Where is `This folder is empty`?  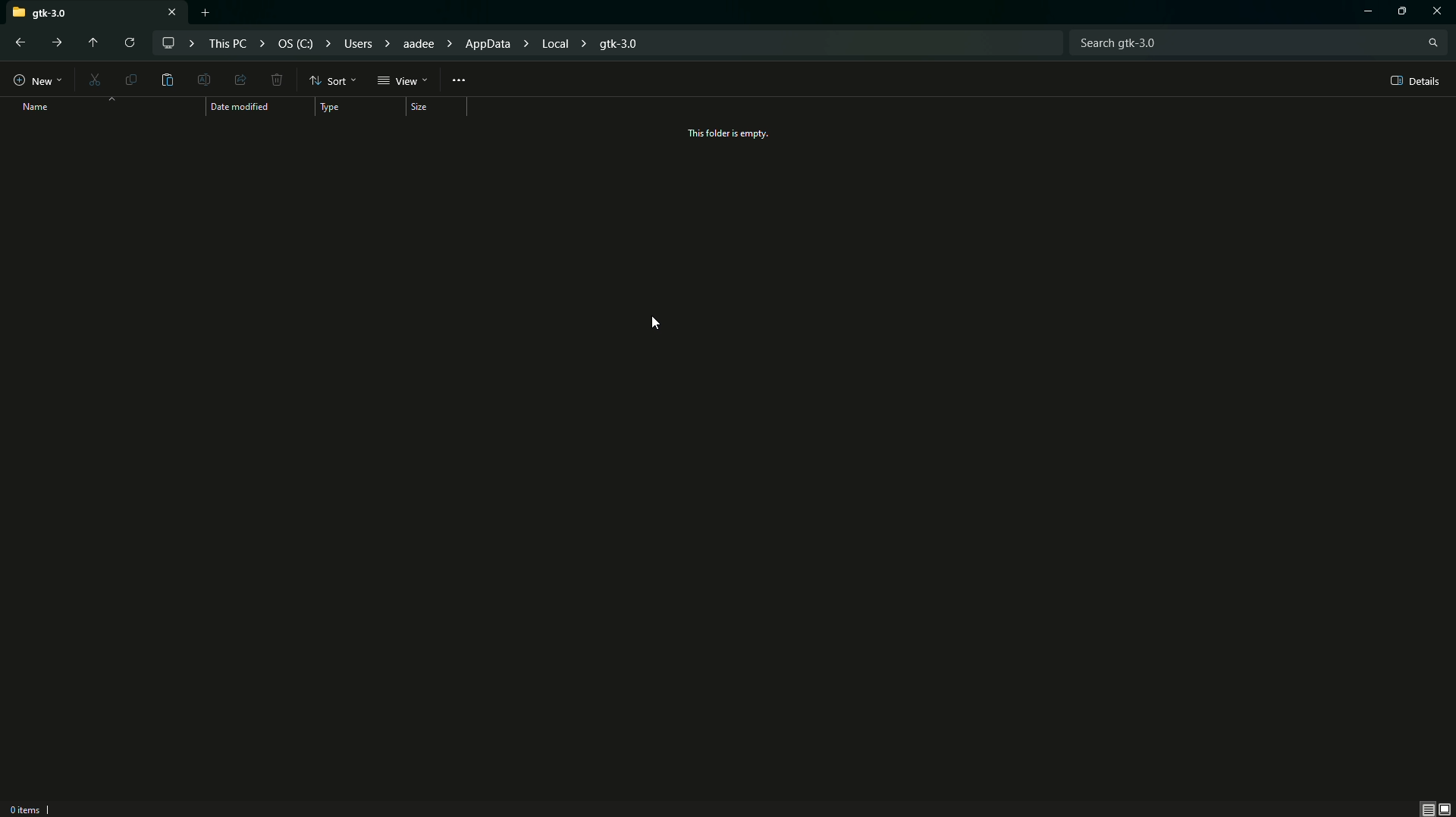
This folder is empty is located at coordinates (736, 133).